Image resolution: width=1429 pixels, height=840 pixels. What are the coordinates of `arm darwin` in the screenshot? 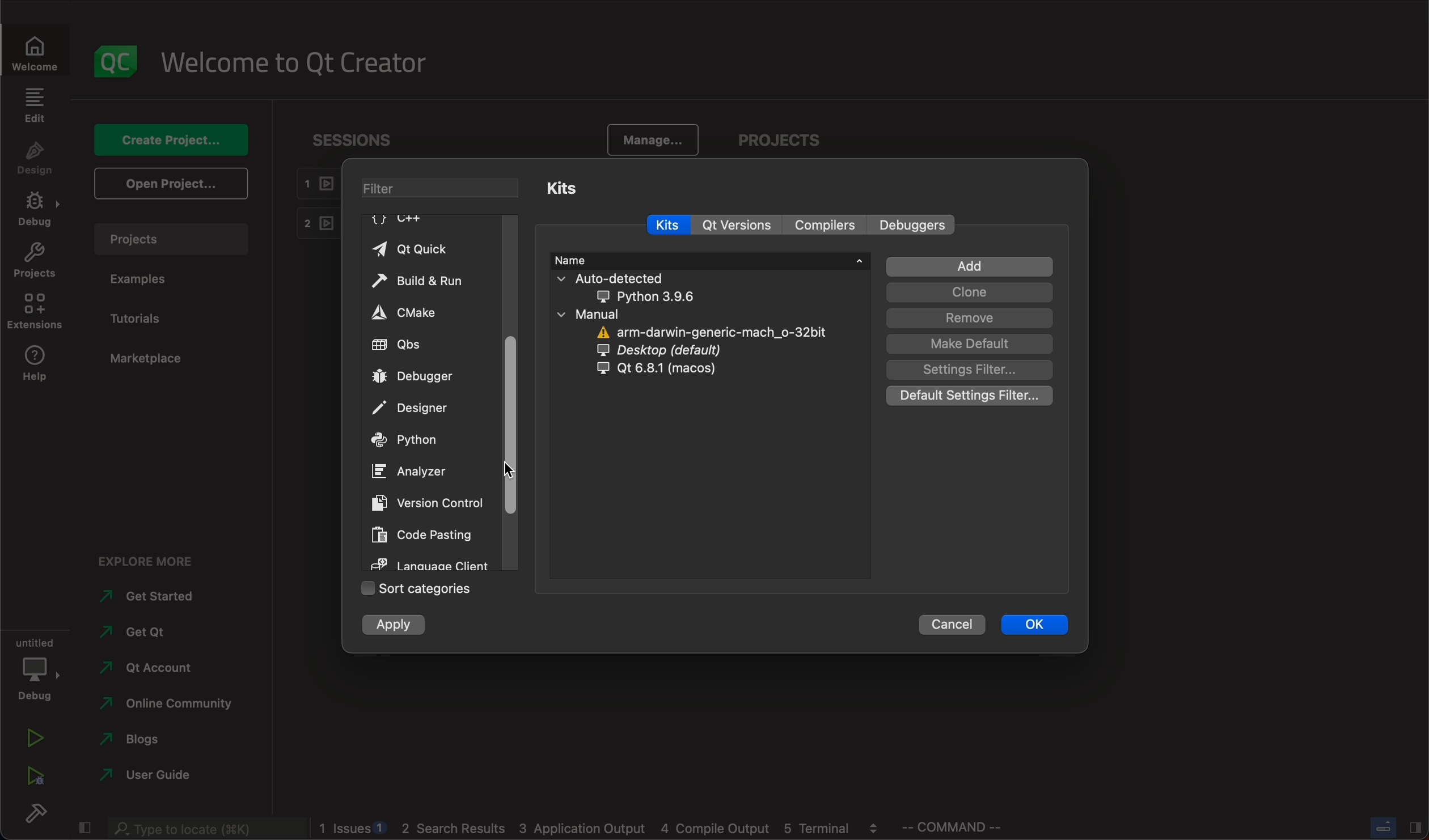 It's located at (706, 332).